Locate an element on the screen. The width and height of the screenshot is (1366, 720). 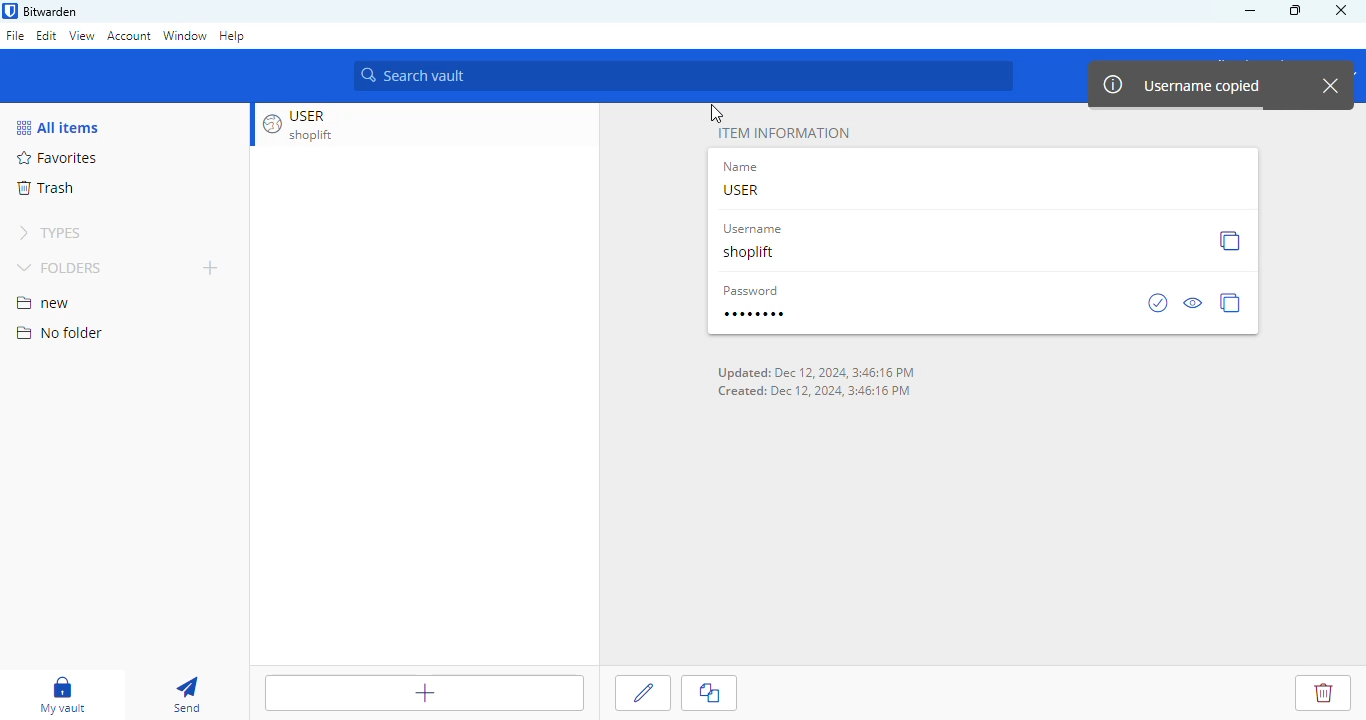
minimize is located at coordinates (1251, 11).